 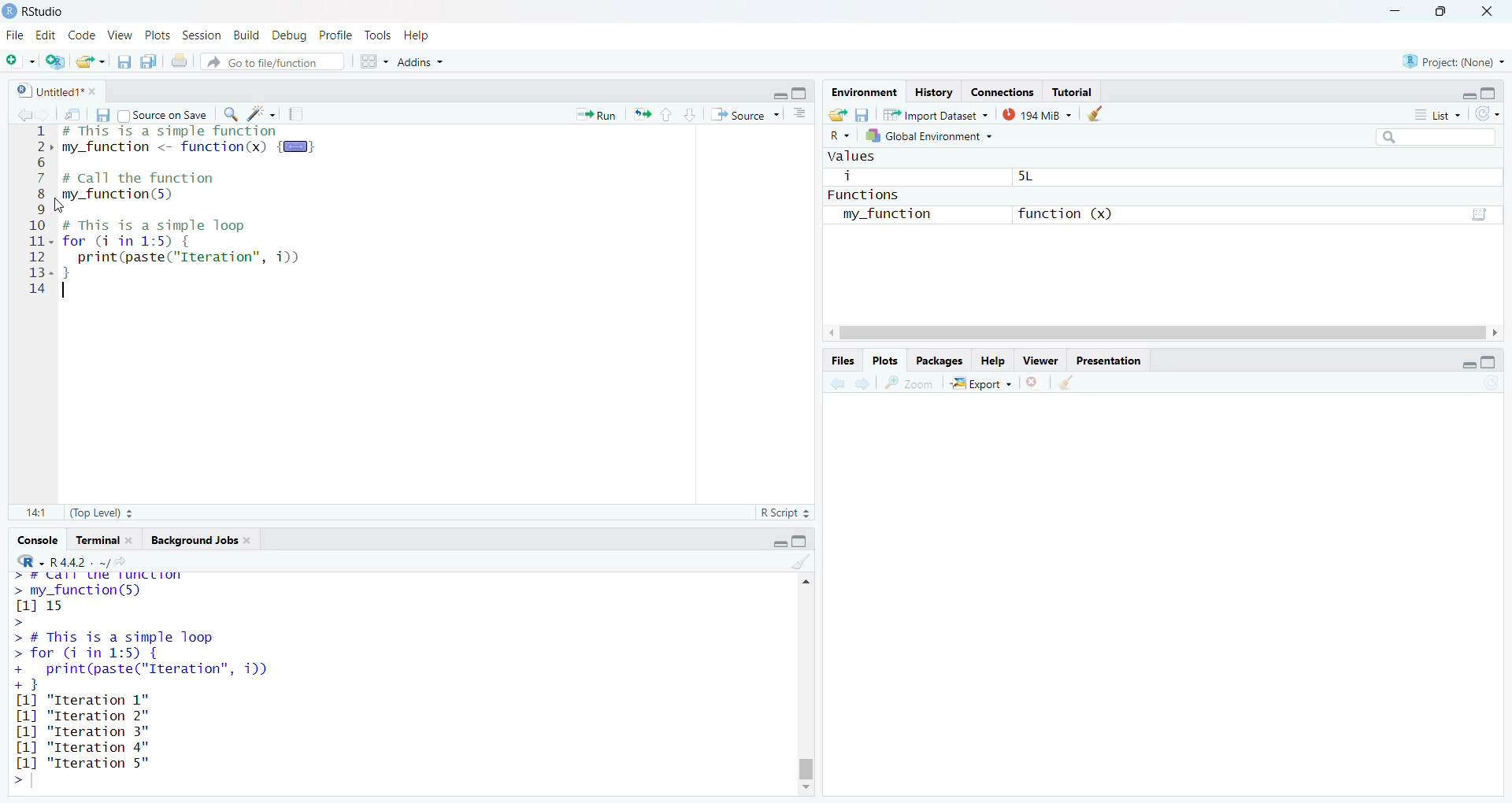 I want to click on empty plot area, so click(x=1169, y=604).